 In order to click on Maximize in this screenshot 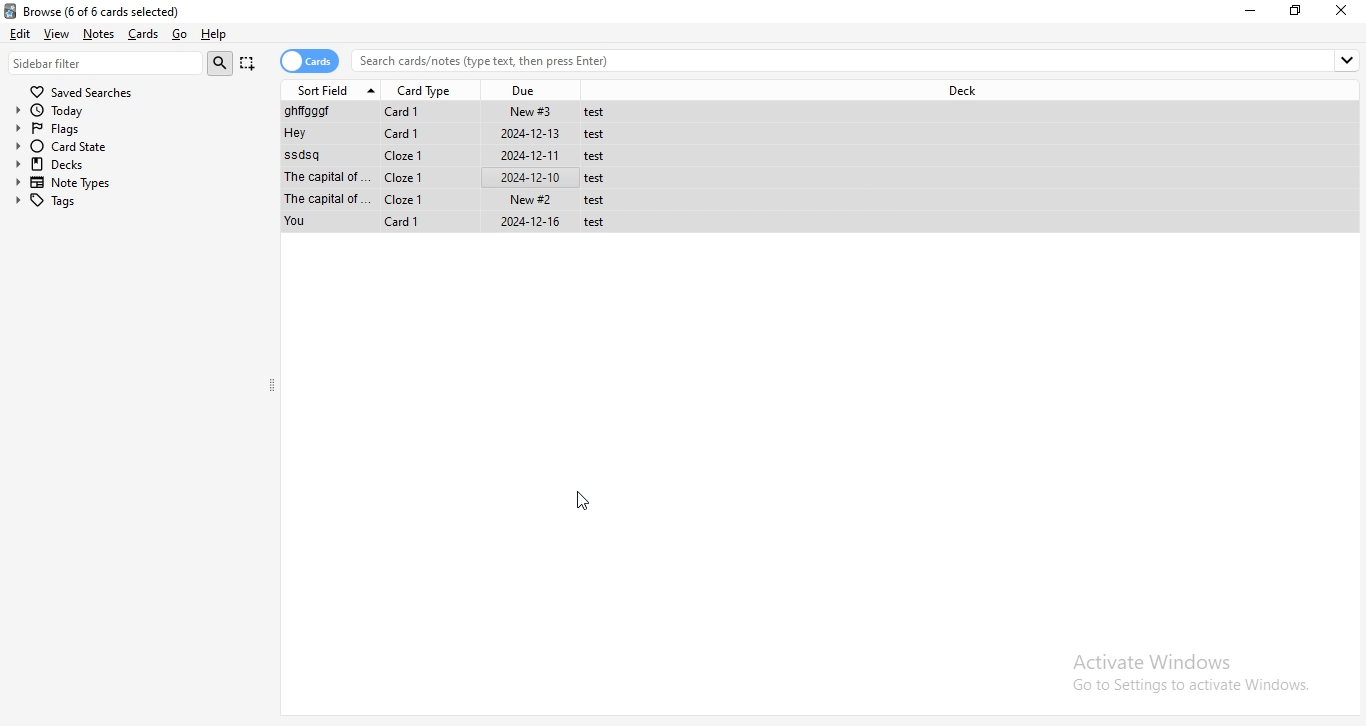, I will do `click(1299, 11)`.